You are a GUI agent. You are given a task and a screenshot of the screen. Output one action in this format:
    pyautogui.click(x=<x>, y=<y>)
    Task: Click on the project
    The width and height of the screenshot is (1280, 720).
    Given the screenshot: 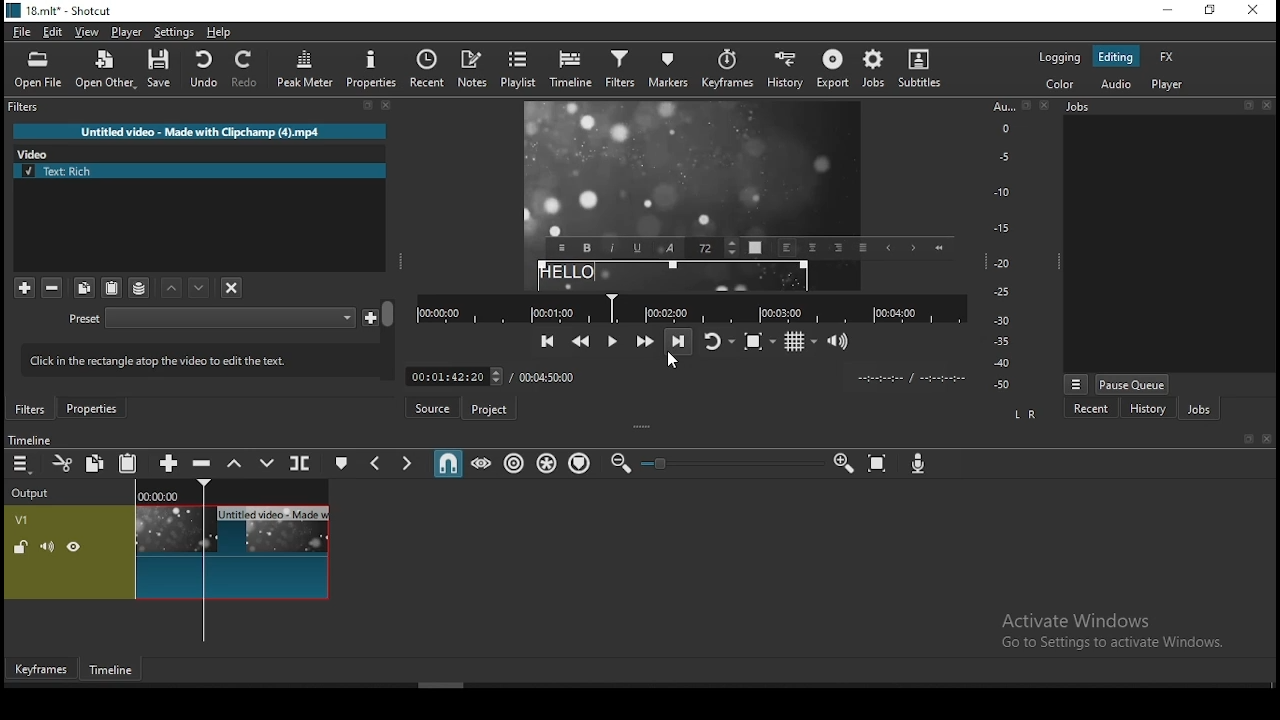 What is the action you would take?
    pyautogui.click(x=487, y=410)
    